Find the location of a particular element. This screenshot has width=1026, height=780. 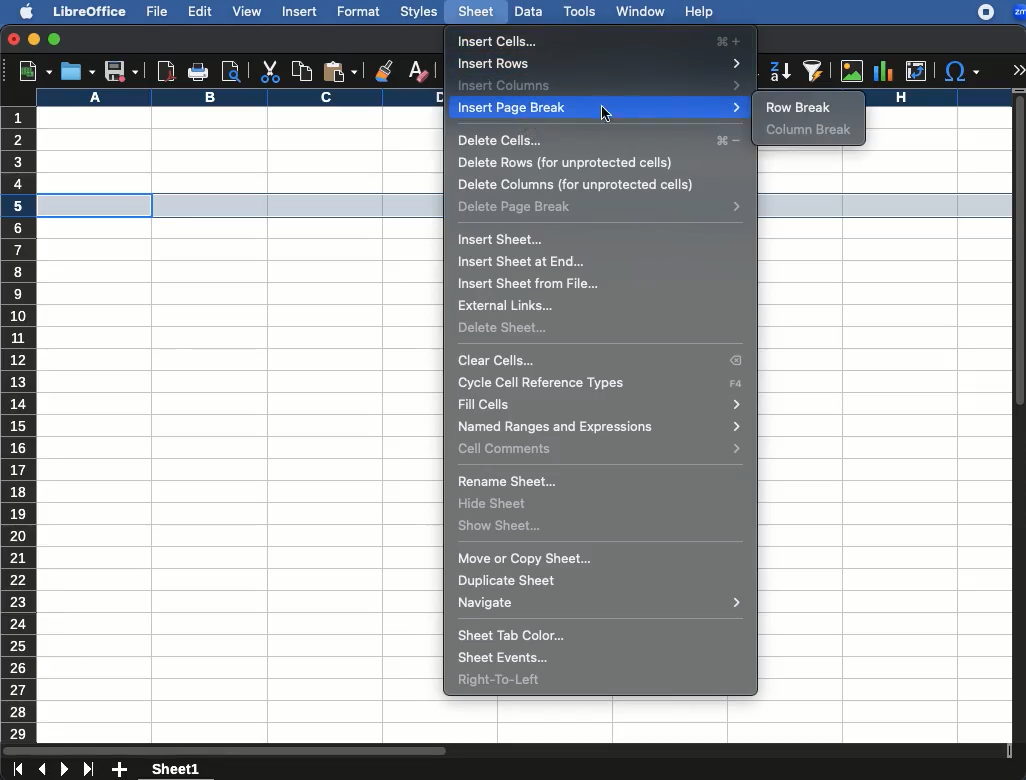

styles is located at coordinates (420, 12).